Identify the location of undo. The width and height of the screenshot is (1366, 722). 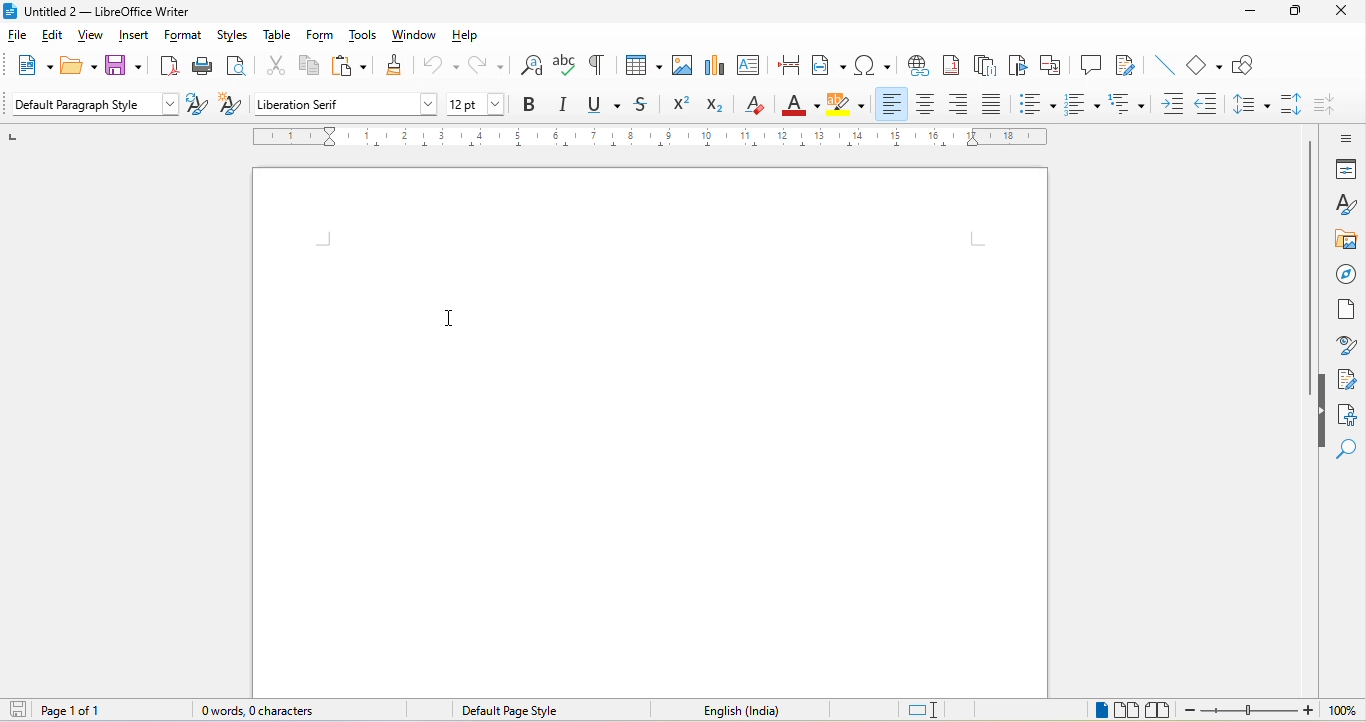
(441, 65).